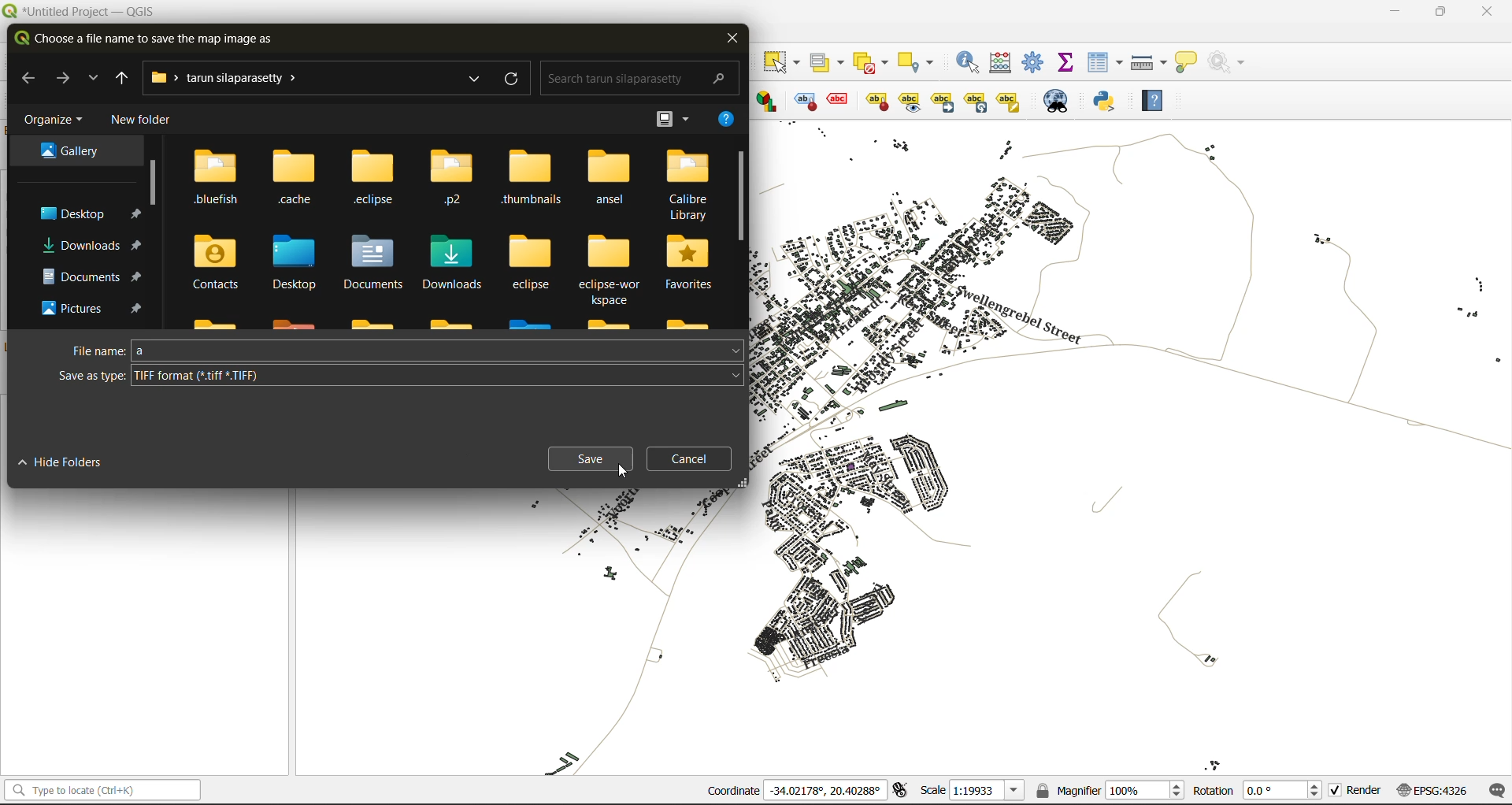 The width and height of the screenshot is (1512, 805). What do you see at coordinates (139, 121) in the screenshot?
I see `new folder` at bounding box center [139, 121].